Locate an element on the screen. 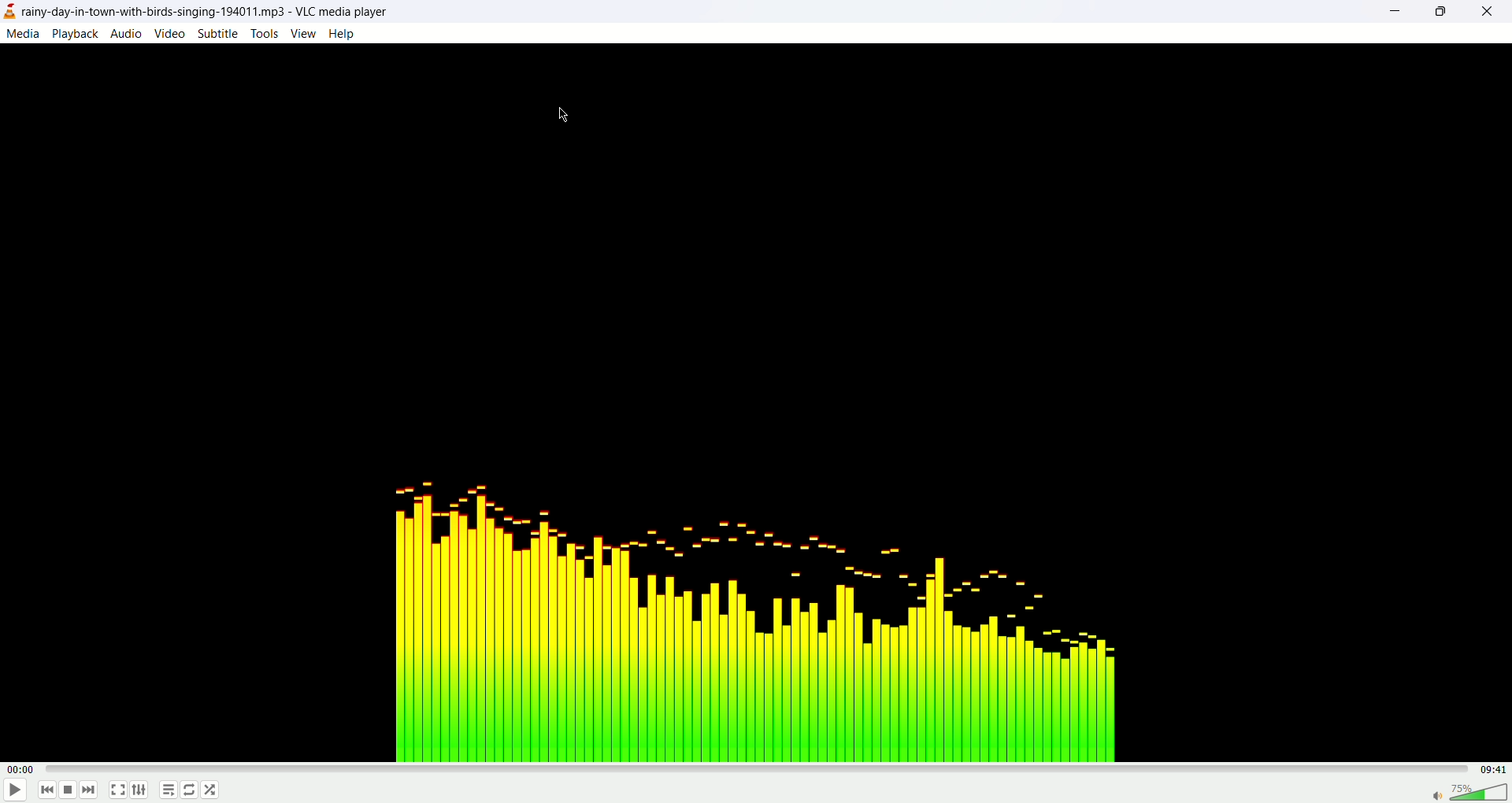  maximize is located at coordinates (1440, 12).